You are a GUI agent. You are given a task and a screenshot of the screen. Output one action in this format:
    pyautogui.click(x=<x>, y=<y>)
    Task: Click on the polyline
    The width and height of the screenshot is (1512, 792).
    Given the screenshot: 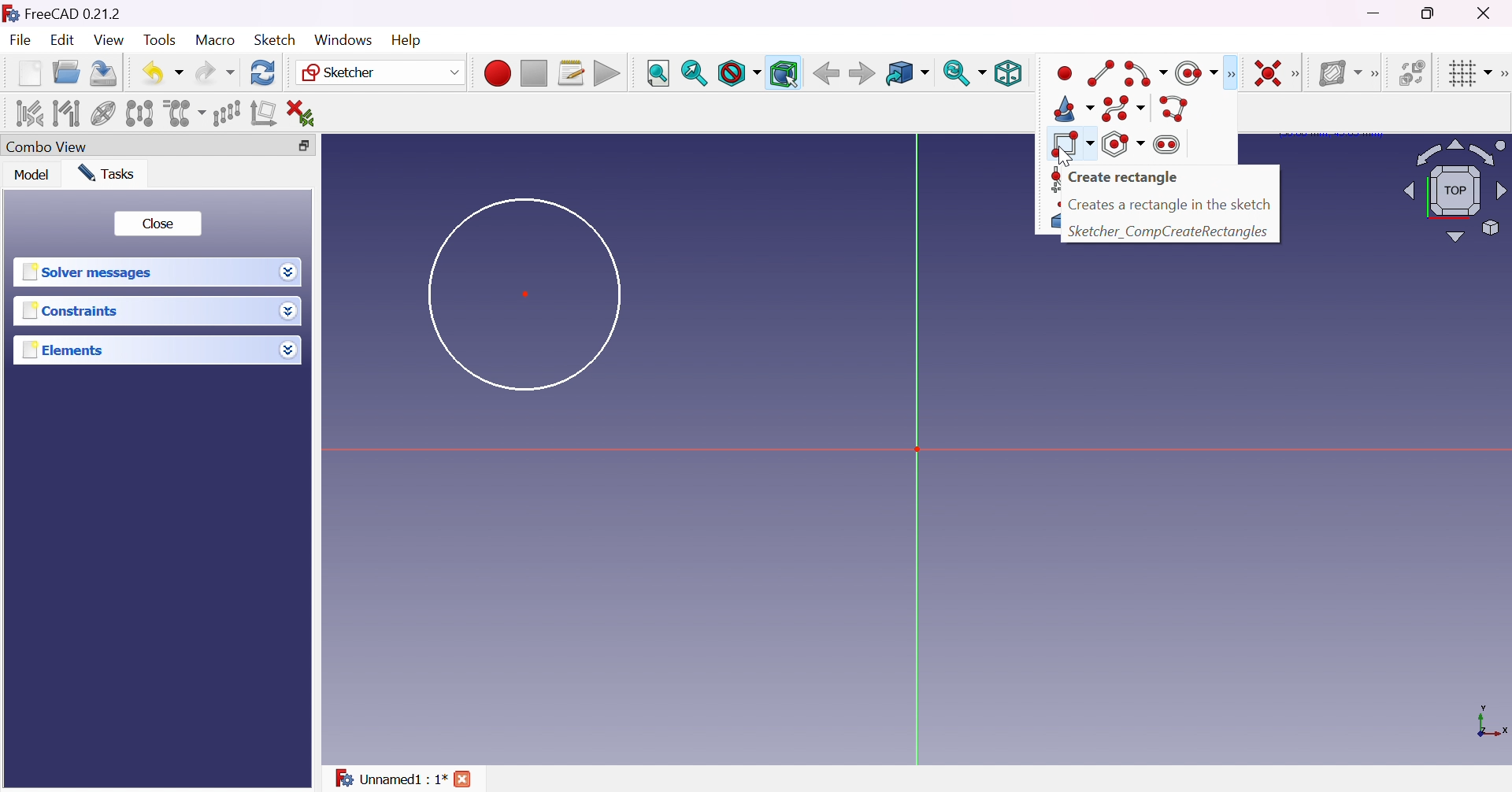 What is the action you would take?
    pyautogui.click(x=1177, y=109)
    